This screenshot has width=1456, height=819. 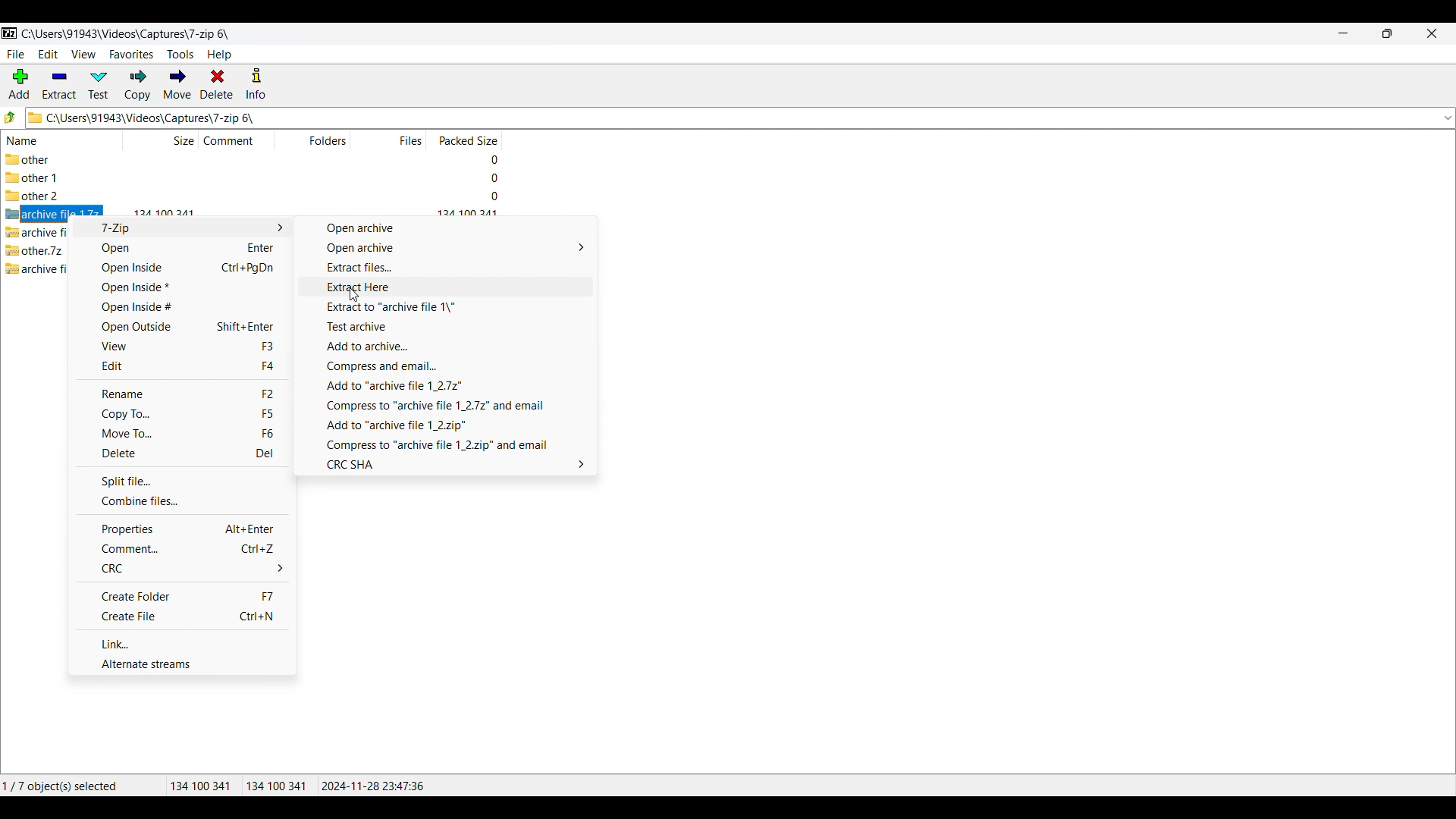 What do you see at coordinates (182, 549) in the screenshot?
I see `Comment` at bounding box center [182, 549].